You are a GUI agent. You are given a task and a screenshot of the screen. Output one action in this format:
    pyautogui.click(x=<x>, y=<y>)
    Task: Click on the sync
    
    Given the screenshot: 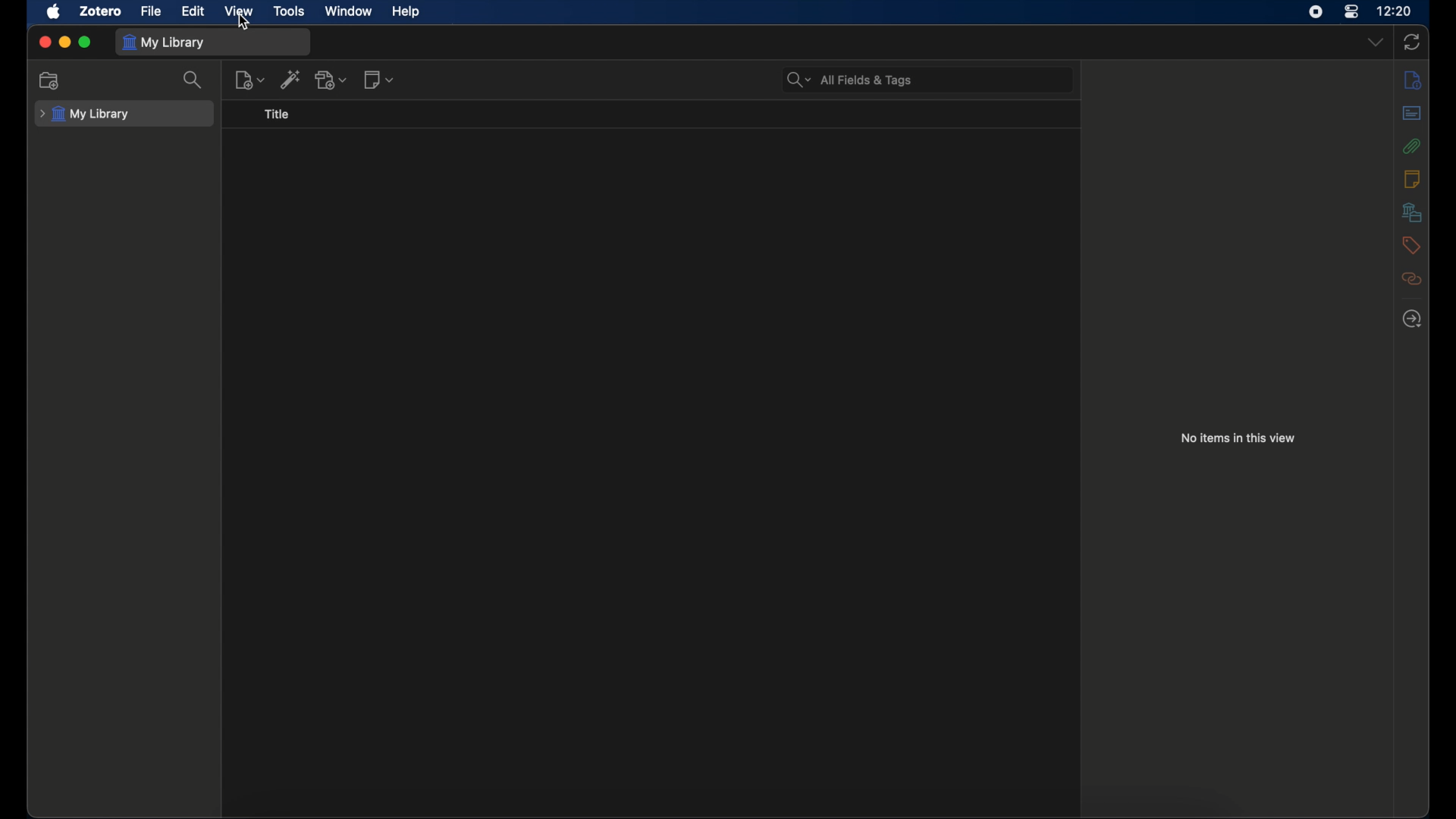 What is the action you would take?
    pyautogui.click(x=1411, y=42)
    